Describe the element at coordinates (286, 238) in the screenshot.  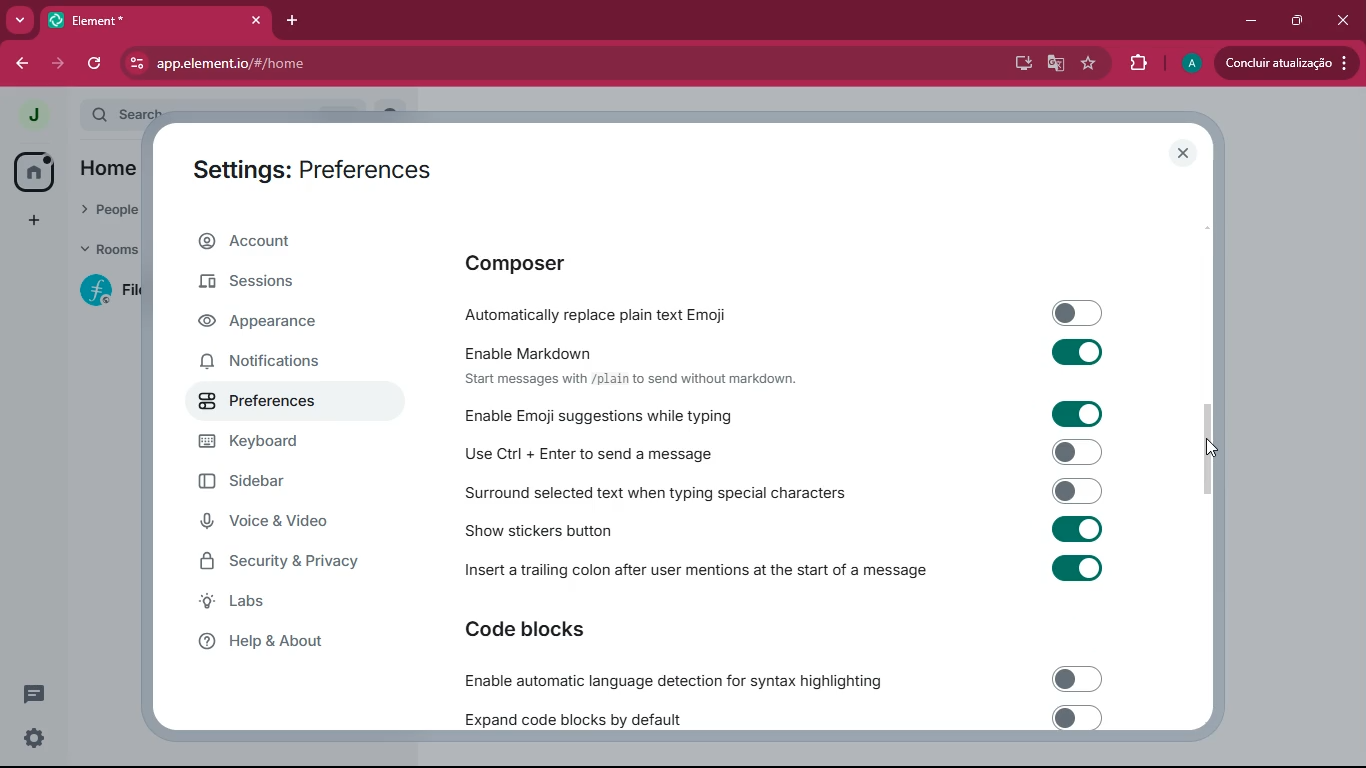
I see `account` at that location.